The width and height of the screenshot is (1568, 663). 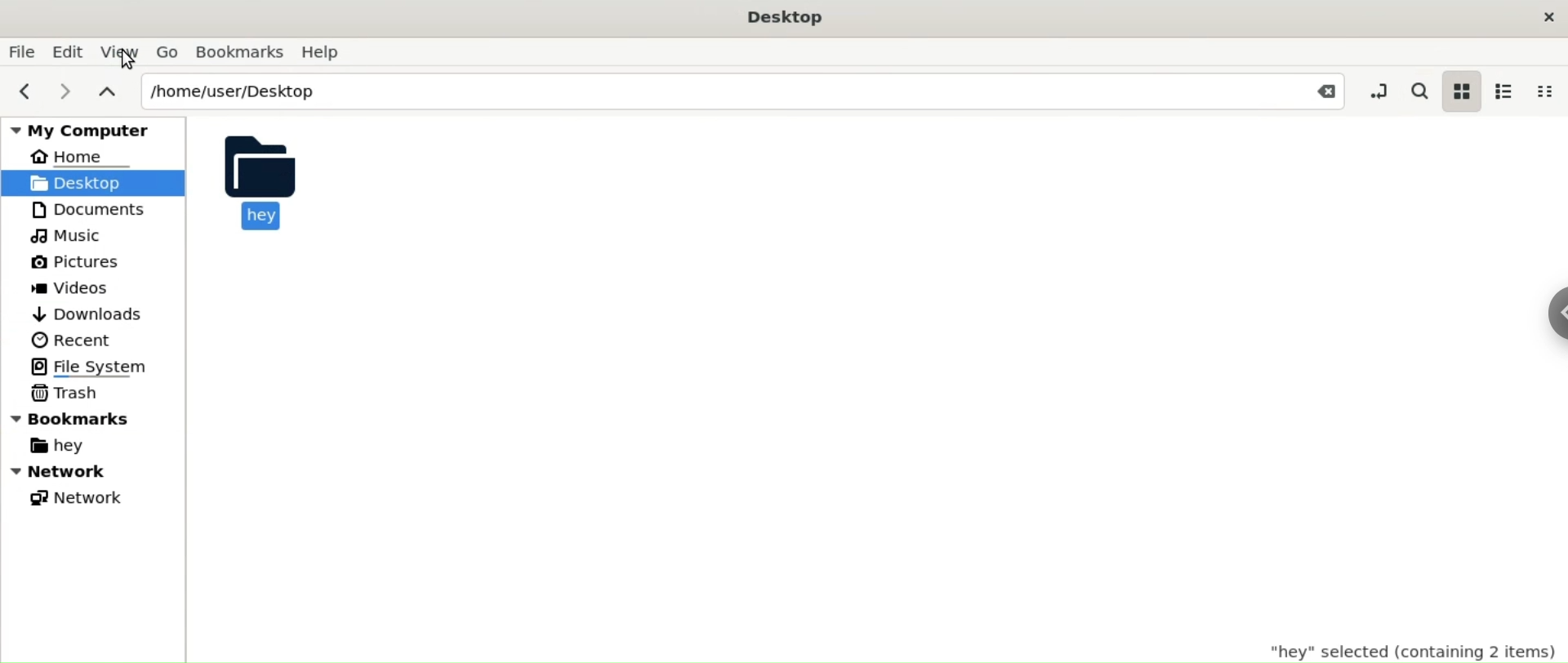 What do you see at coordinates (60, 92) in the screenshot?
I see `next` at bounding box center [60, 92].